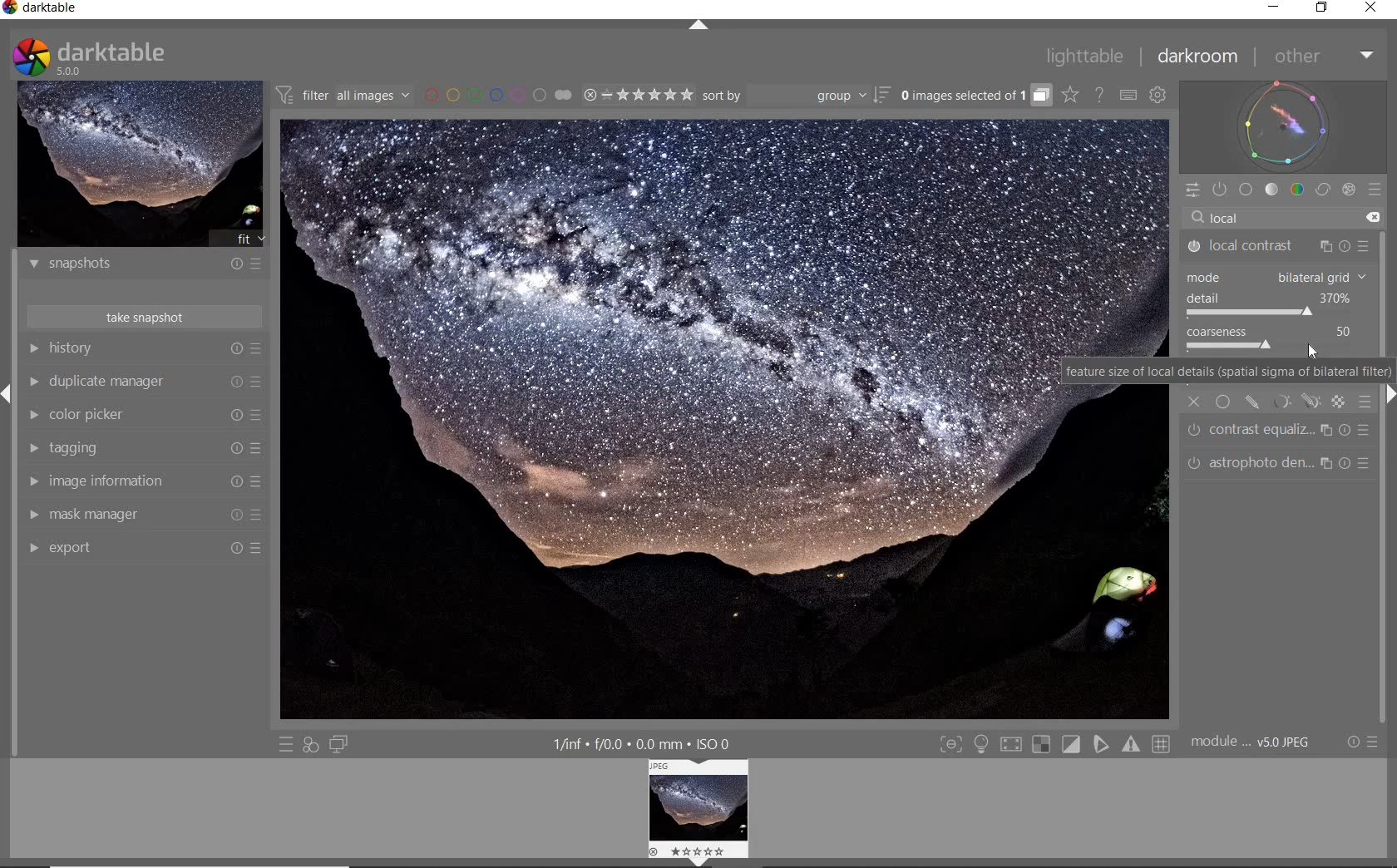 The image size is (1397, 868). Describe the element at coordinates (641, 743) in the screenshot. I see `DISPLAYED GUI INFO` at that location.